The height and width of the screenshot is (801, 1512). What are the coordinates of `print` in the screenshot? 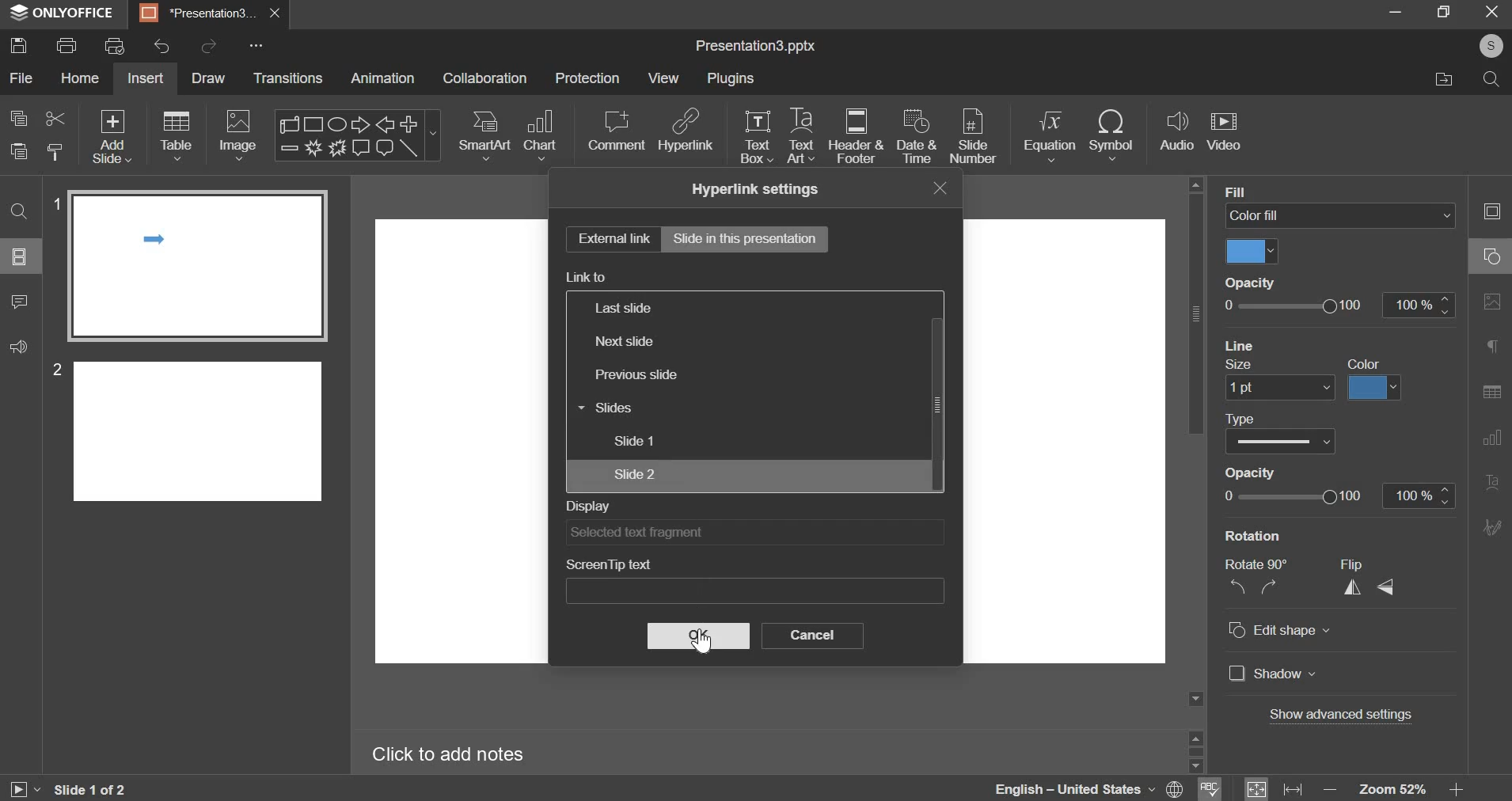 It's located at (66, 45).